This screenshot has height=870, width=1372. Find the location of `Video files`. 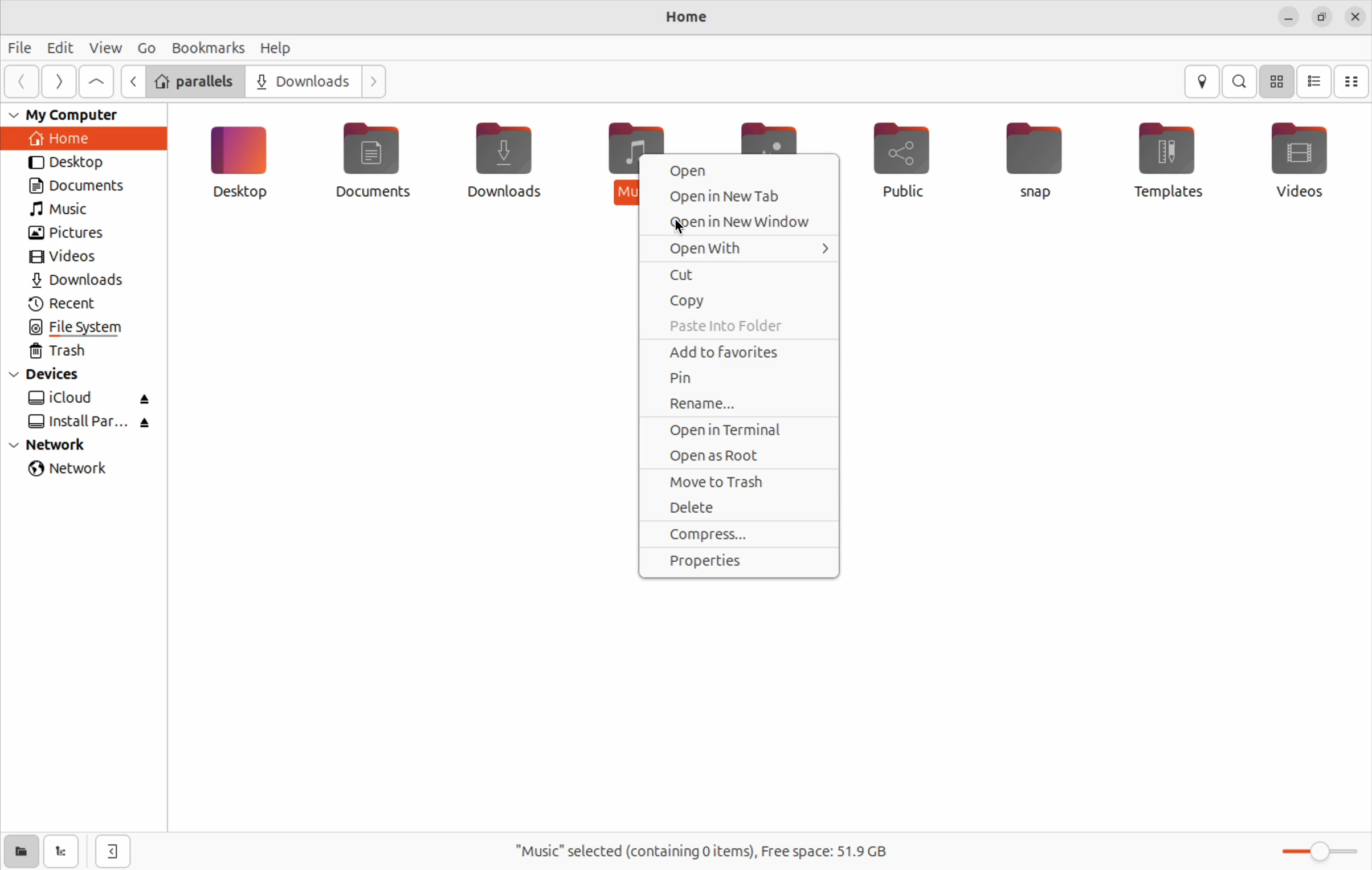

Video files is located at coordinates (1301, 158).